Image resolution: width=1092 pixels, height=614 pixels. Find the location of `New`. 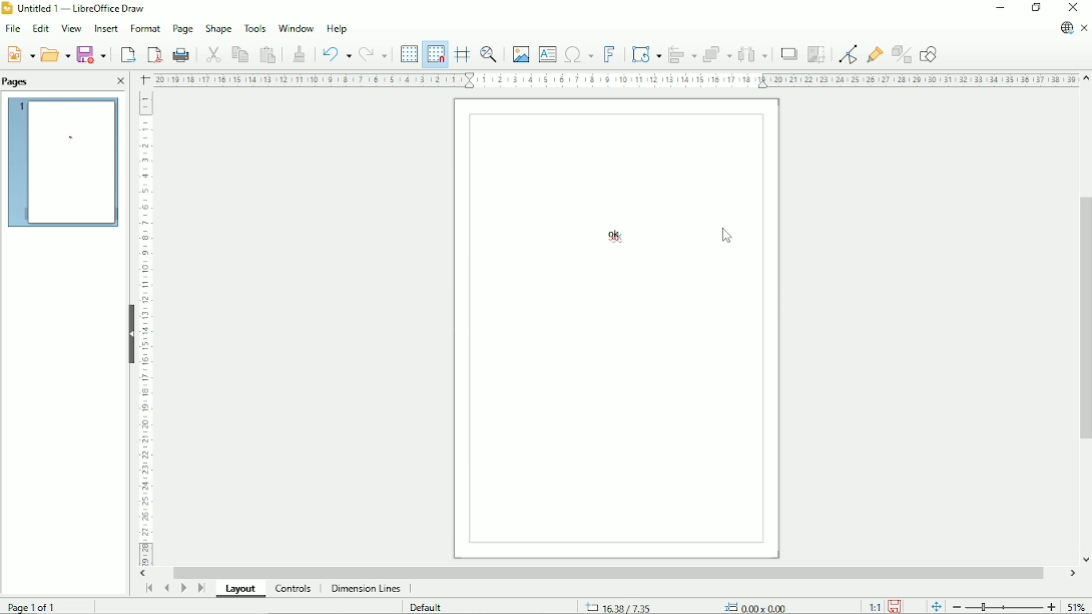

New is located at coordinates (20, 55).